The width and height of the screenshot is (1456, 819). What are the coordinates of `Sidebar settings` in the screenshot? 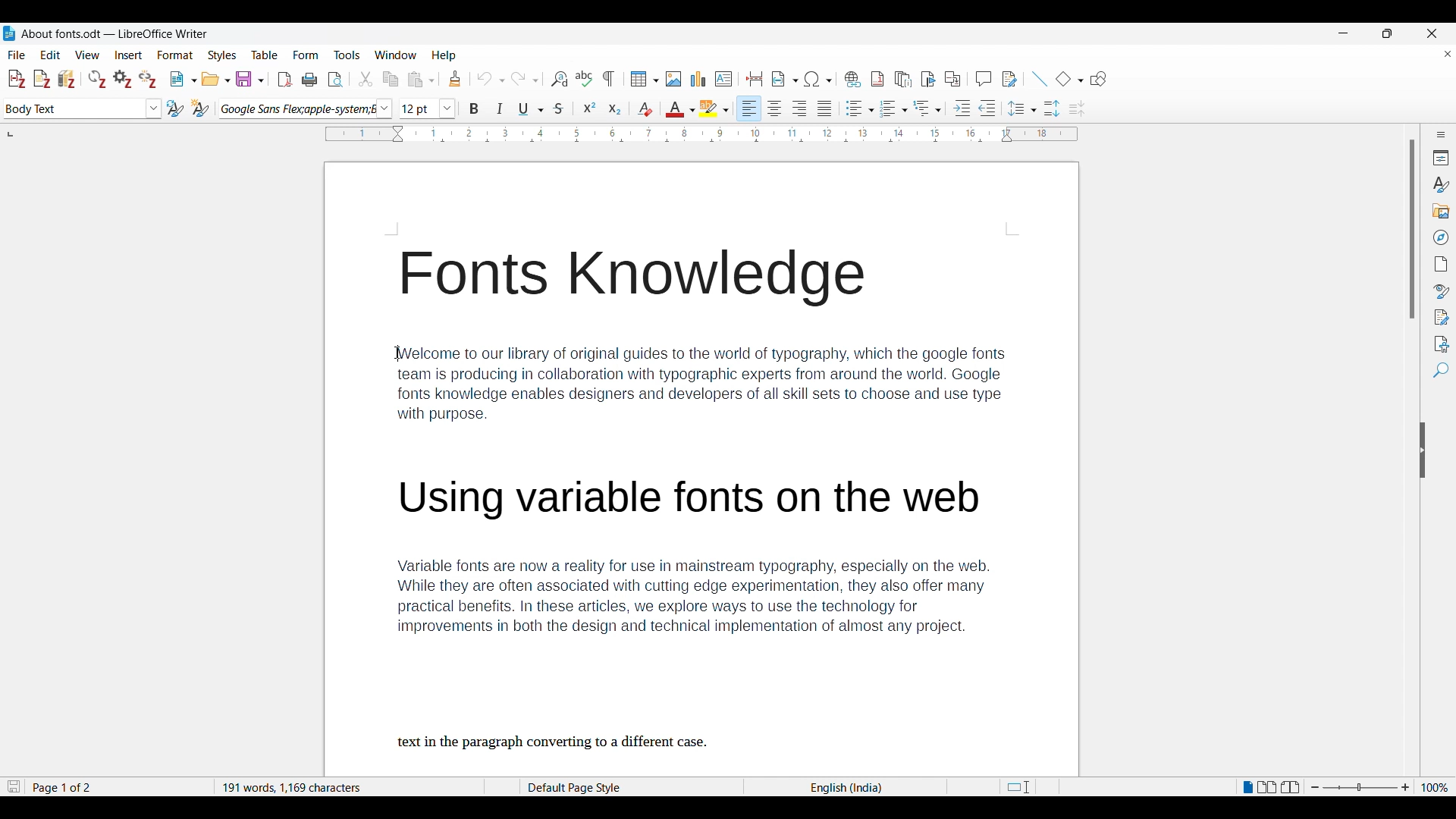 It's located at (1441, 134).